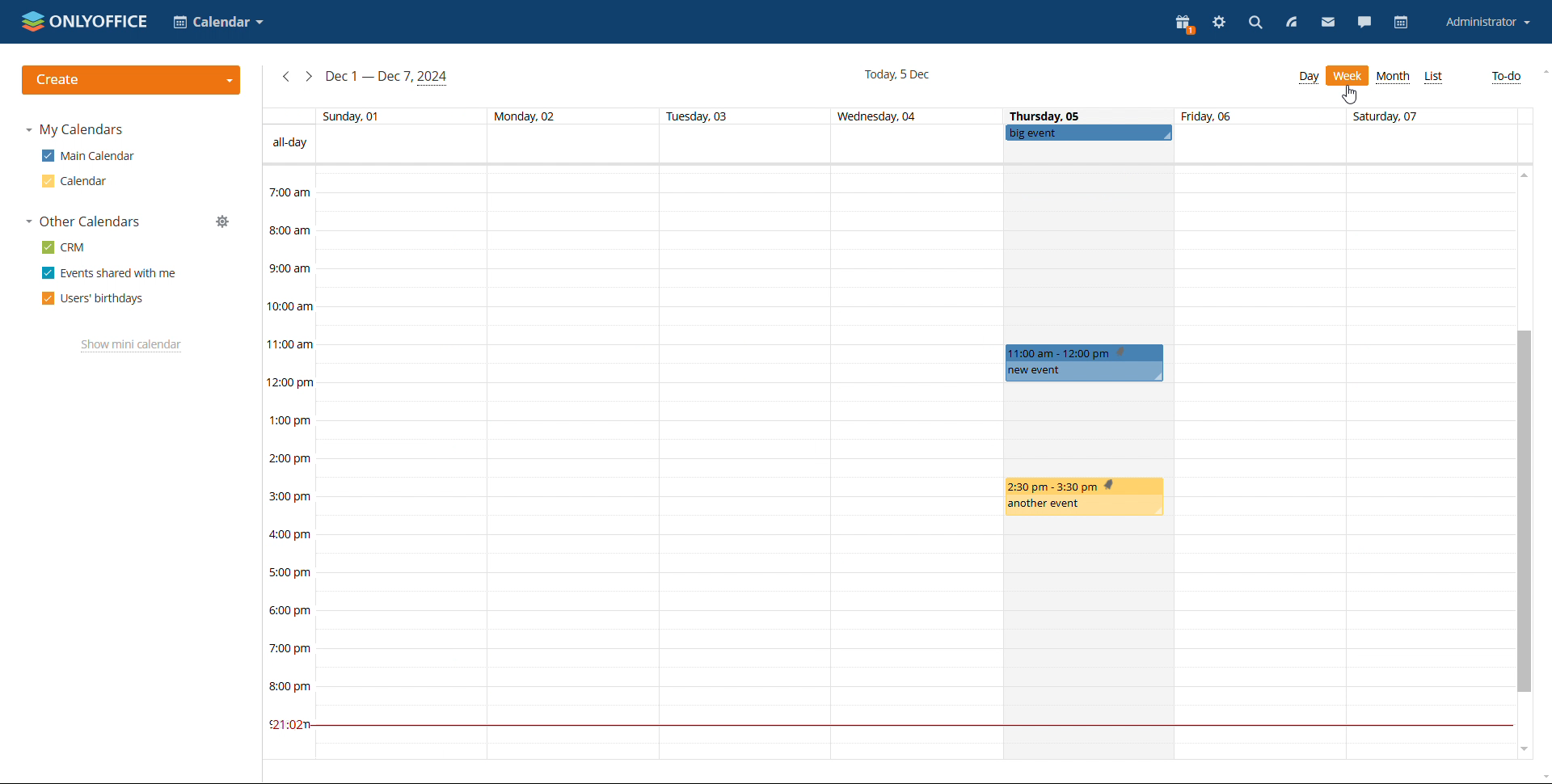  I want to click on cursor, so click(1357, 93).